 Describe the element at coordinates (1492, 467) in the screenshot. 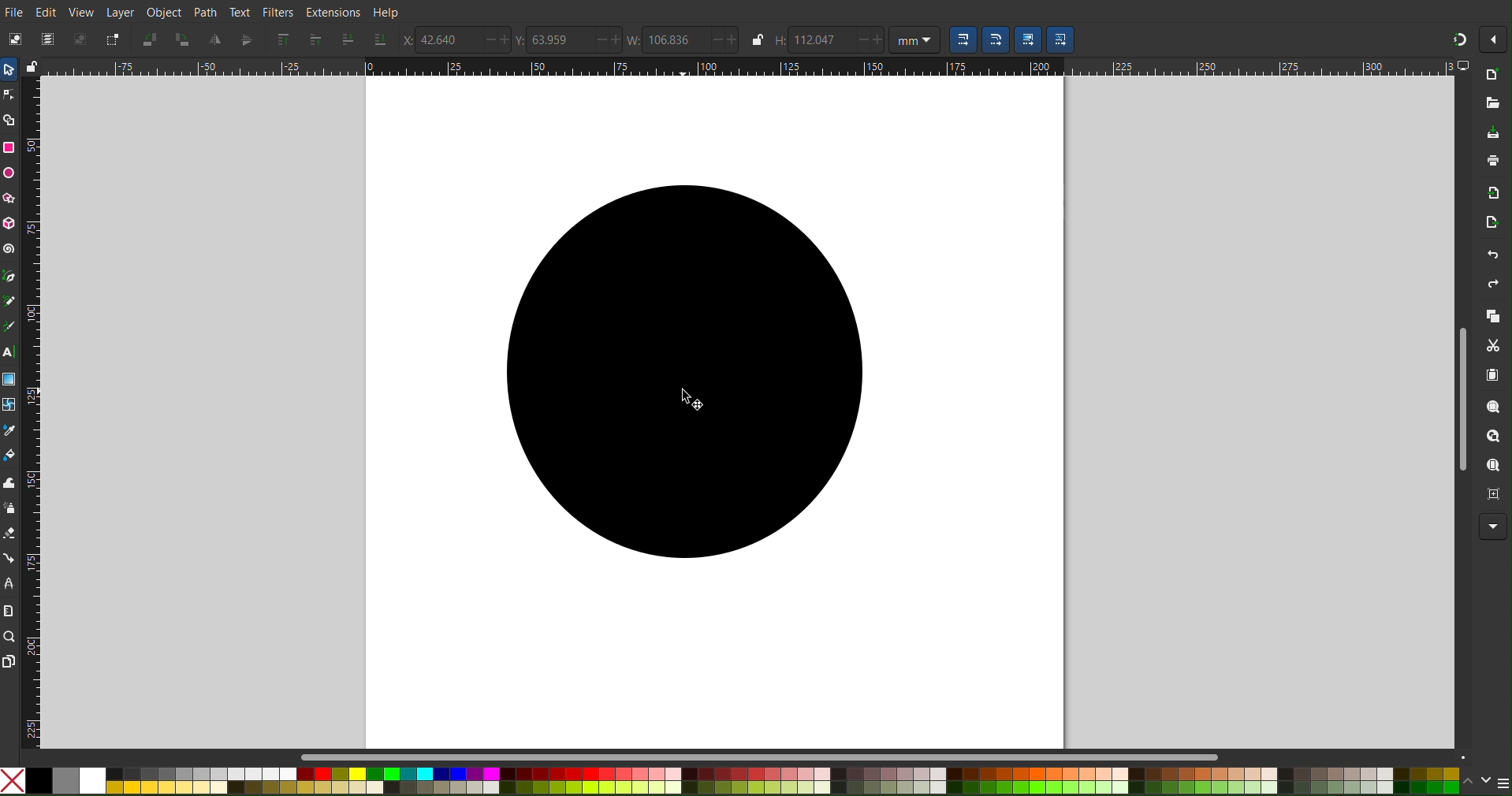

I see `Zoom Page` at that location.